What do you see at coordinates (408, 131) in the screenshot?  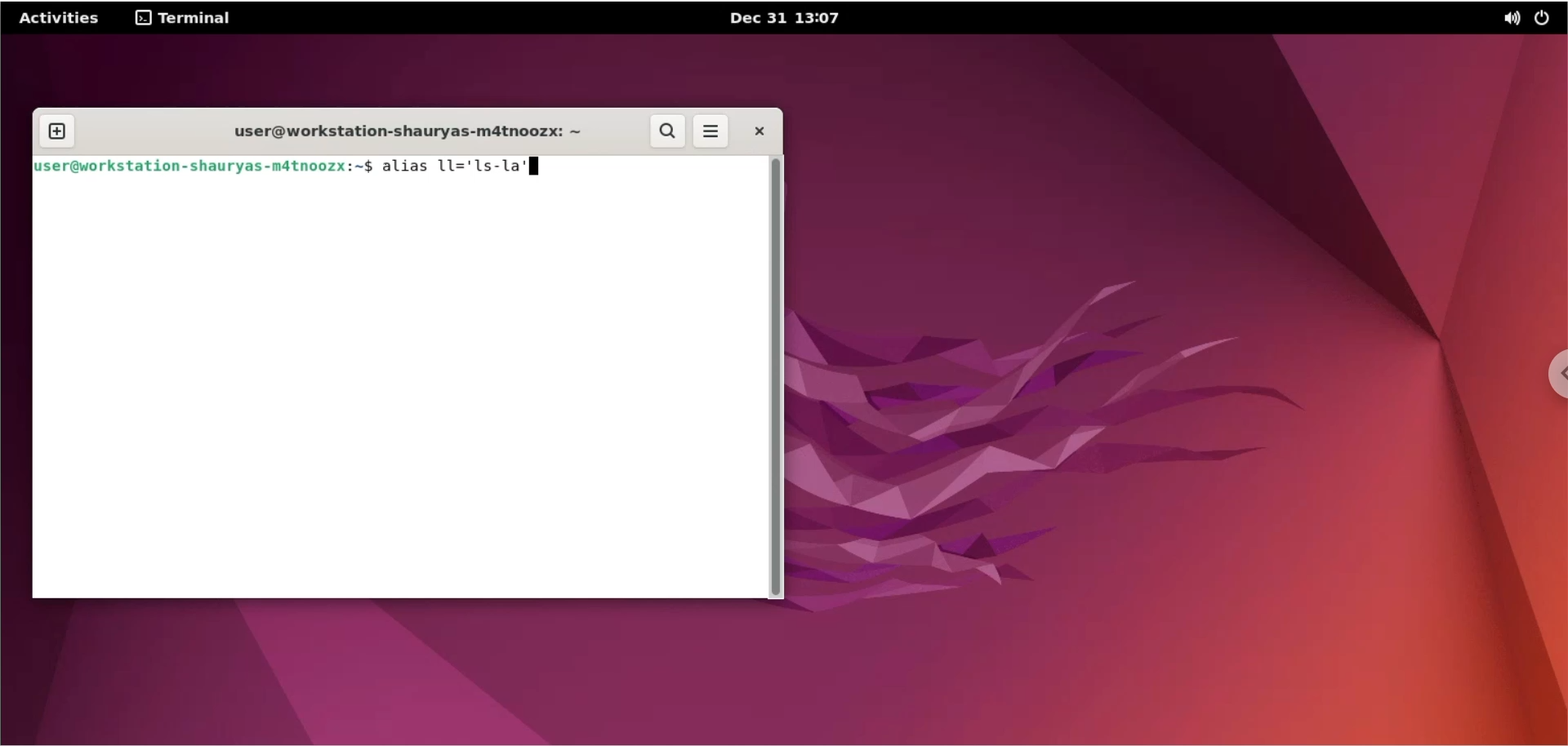 I see `user@workstation-shauryas-m4tnoozx: ~` at bounding box center [408, 131].